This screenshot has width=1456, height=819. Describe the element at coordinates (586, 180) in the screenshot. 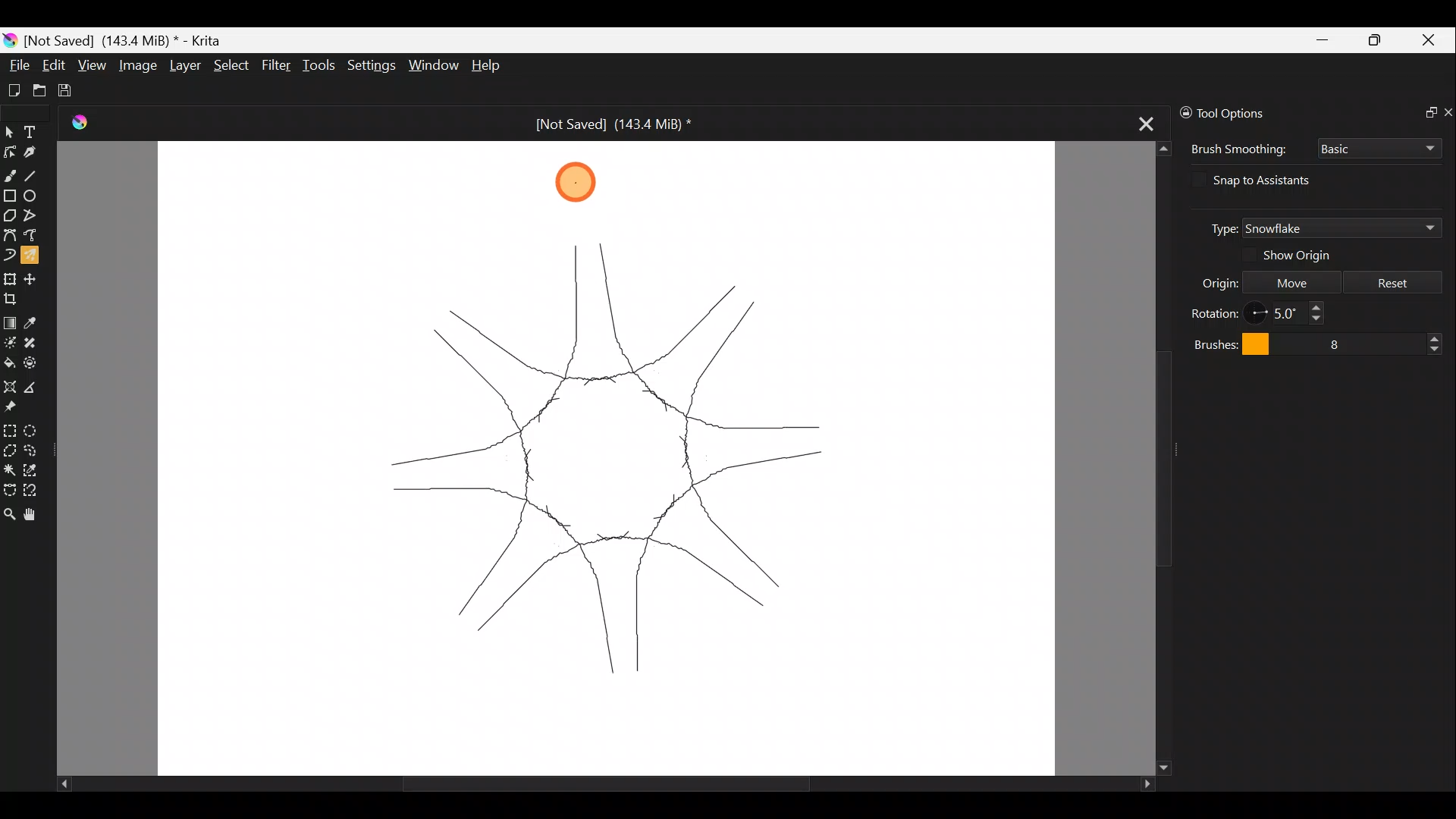

I see `Cursor on canvas` at that location.